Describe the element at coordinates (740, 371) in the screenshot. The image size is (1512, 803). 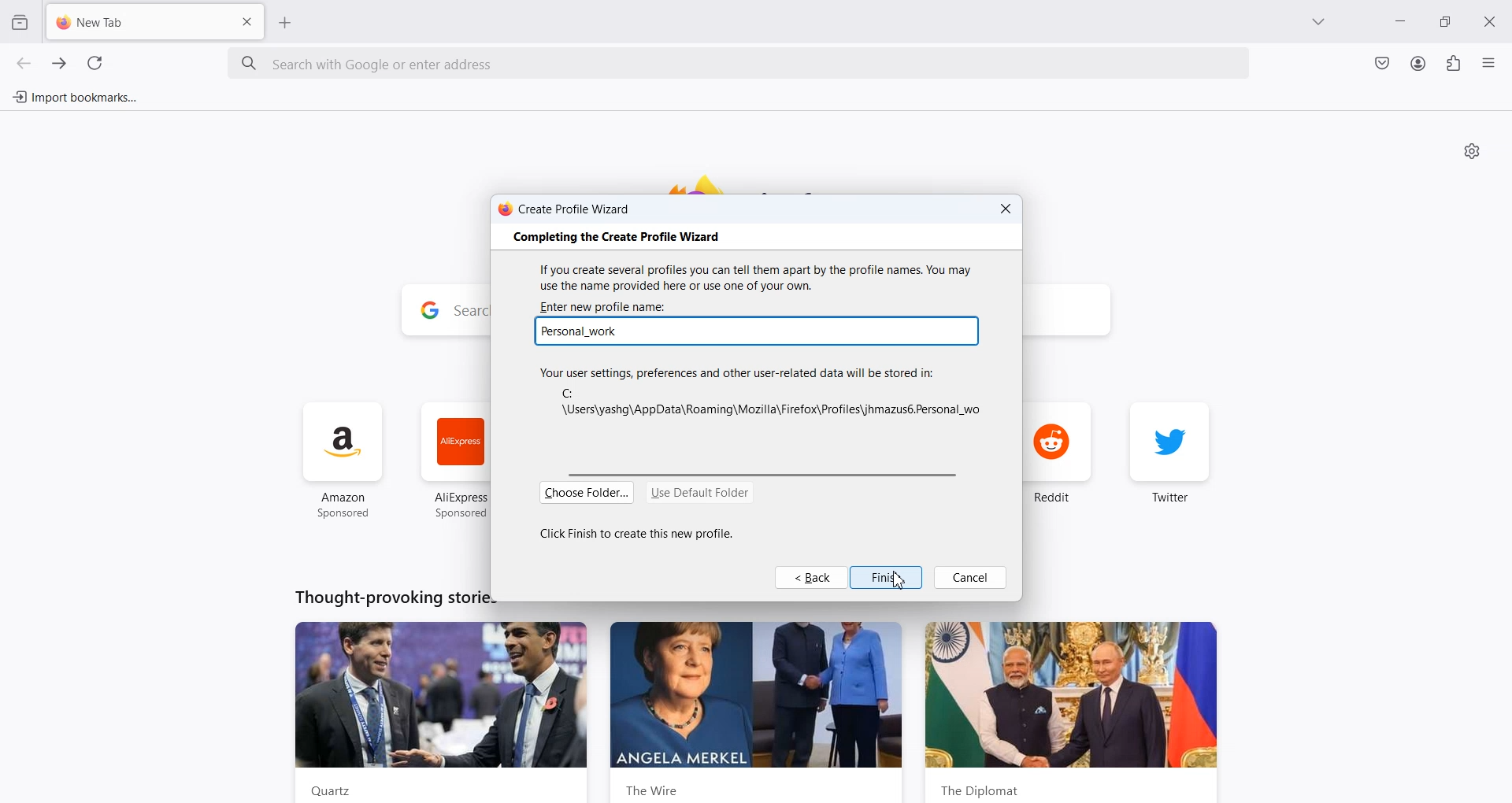
I see `Your user settings, preferences and other user-related data will be stored in:` at that location.